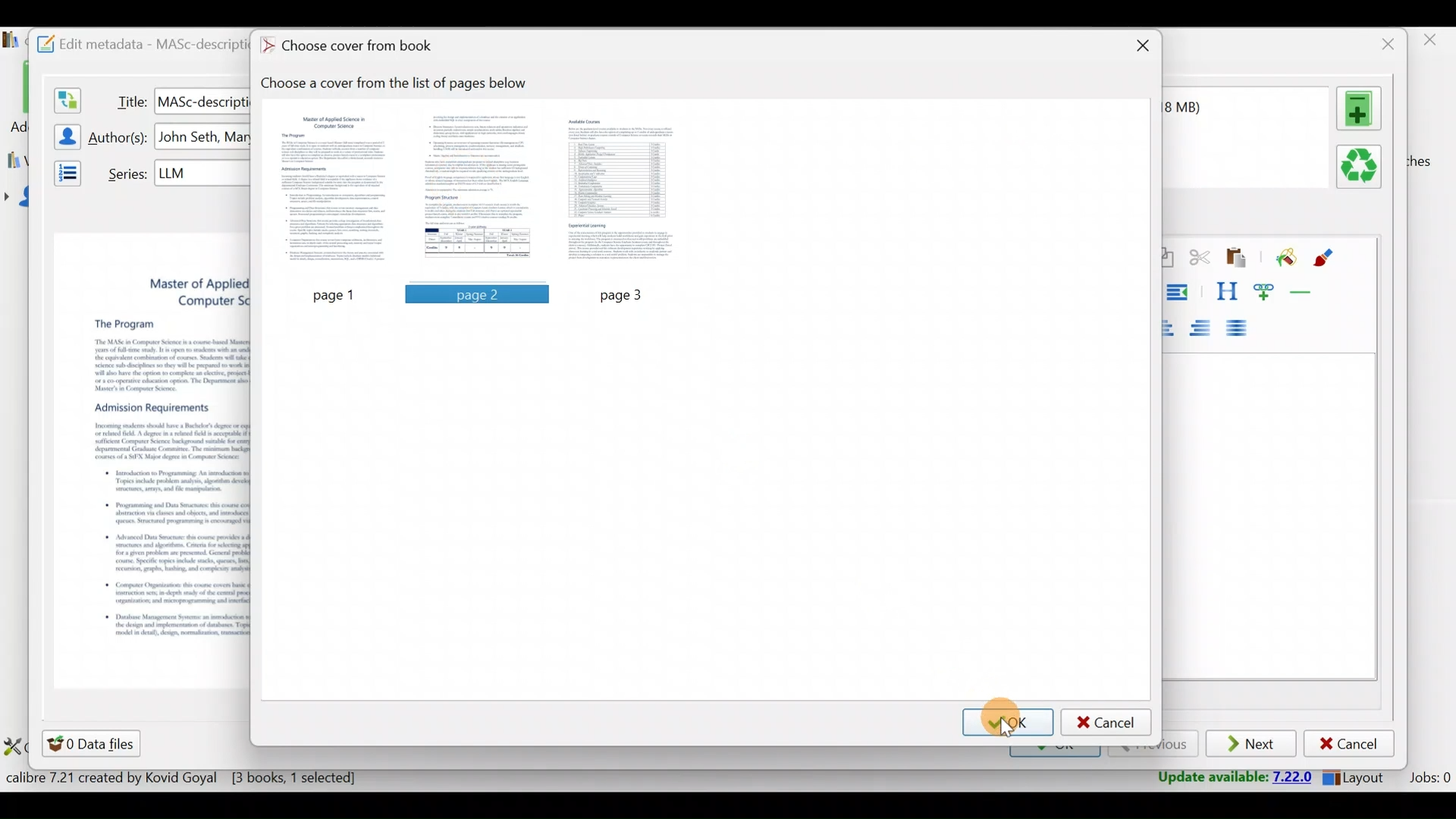 Image resolution: width=1456 pixels, height=819 pixels. What do you see at coordinates (202, 172) in the screenshot?
I see `` at bounding box center [202, 172].